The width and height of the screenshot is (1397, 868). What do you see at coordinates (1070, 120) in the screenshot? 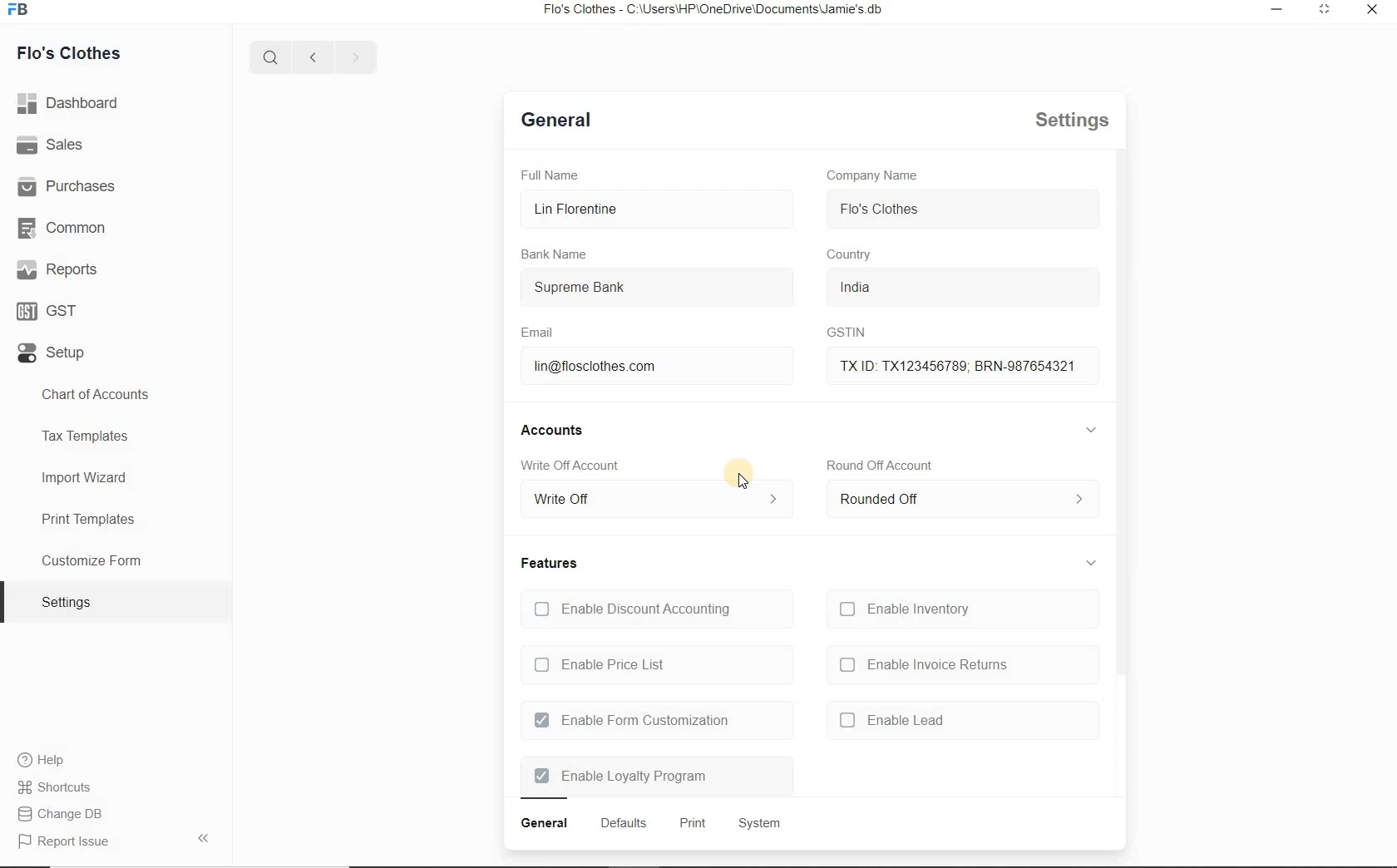
I see `Settings` at bounding box center [1070, 120].